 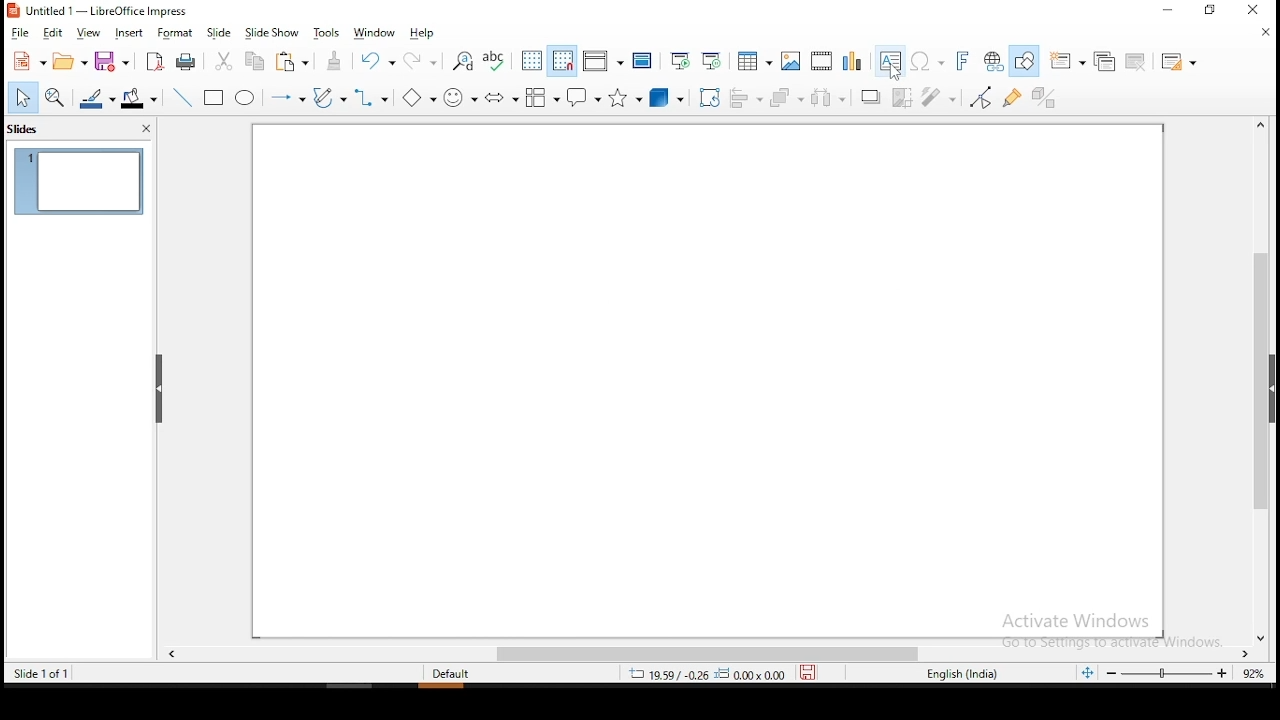 What do you see at coordinates (155, 61) in the screenshot?
I see `export as pdf` at bounding box center [155, 61].